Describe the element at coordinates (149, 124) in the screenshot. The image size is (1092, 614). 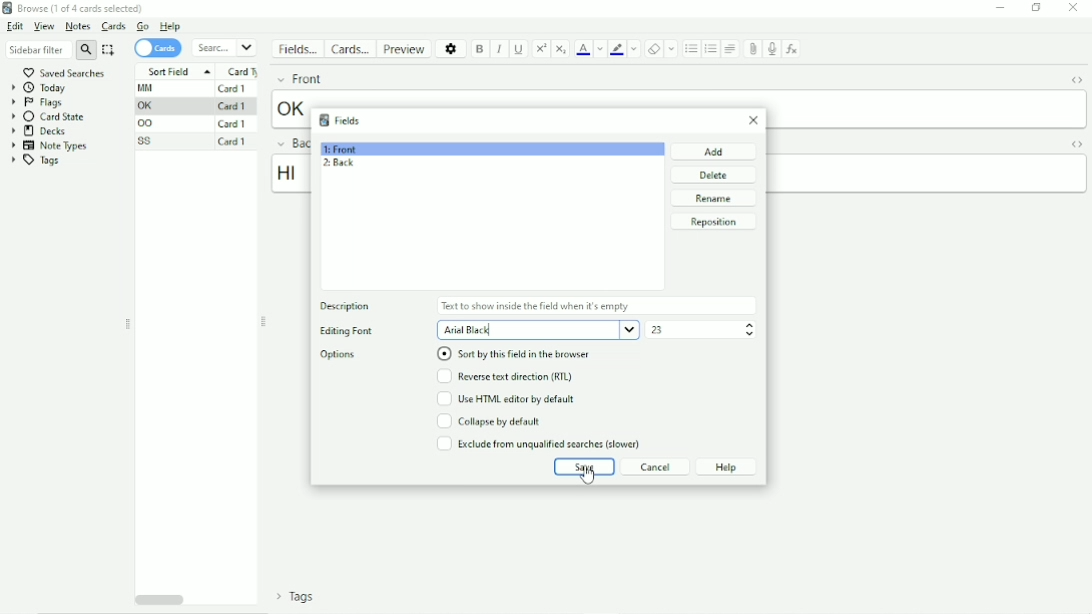
I see `OO` at that location.